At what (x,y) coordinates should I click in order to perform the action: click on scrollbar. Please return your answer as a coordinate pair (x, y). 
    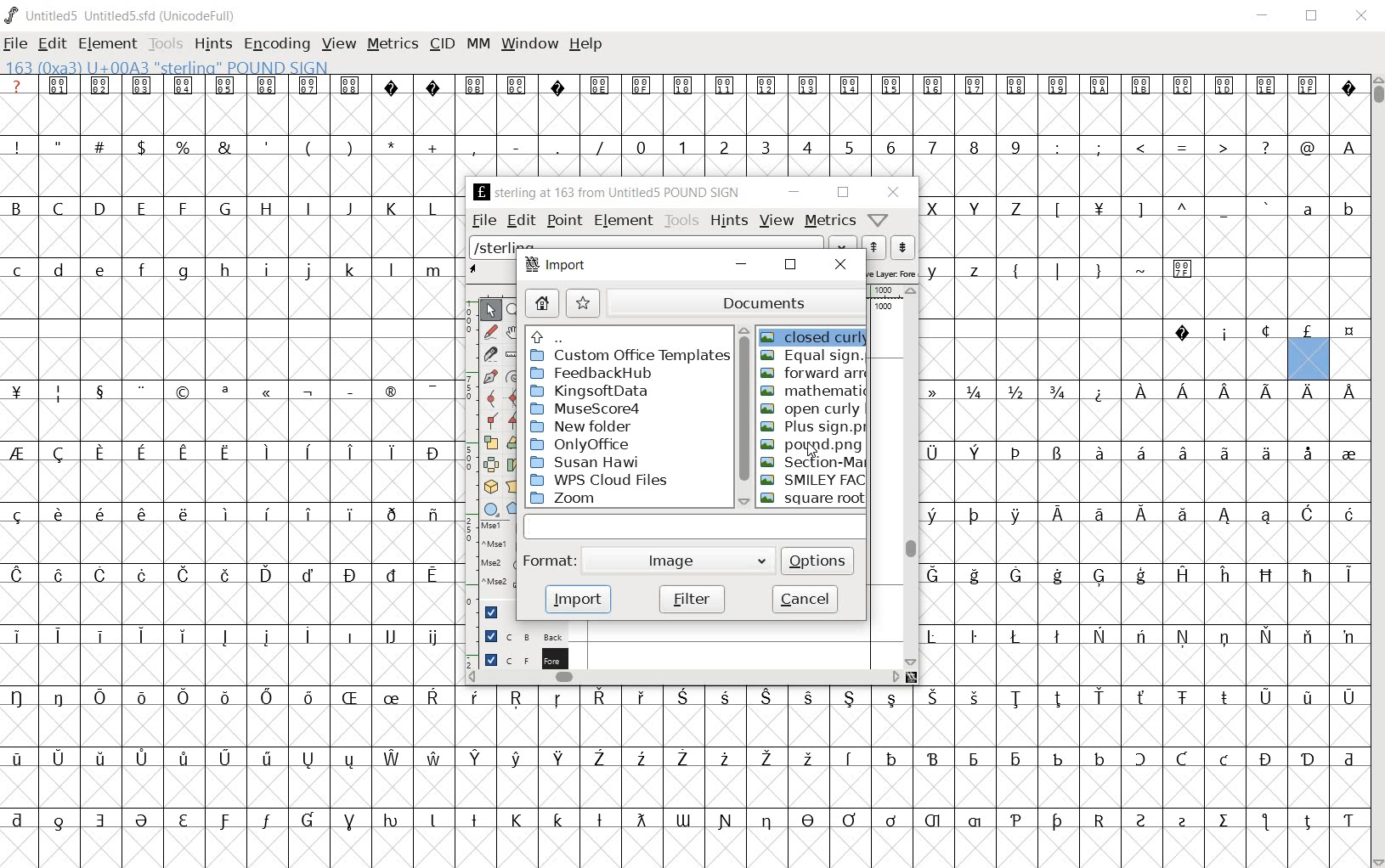
    Looking at the image, I should click on (685, 677).